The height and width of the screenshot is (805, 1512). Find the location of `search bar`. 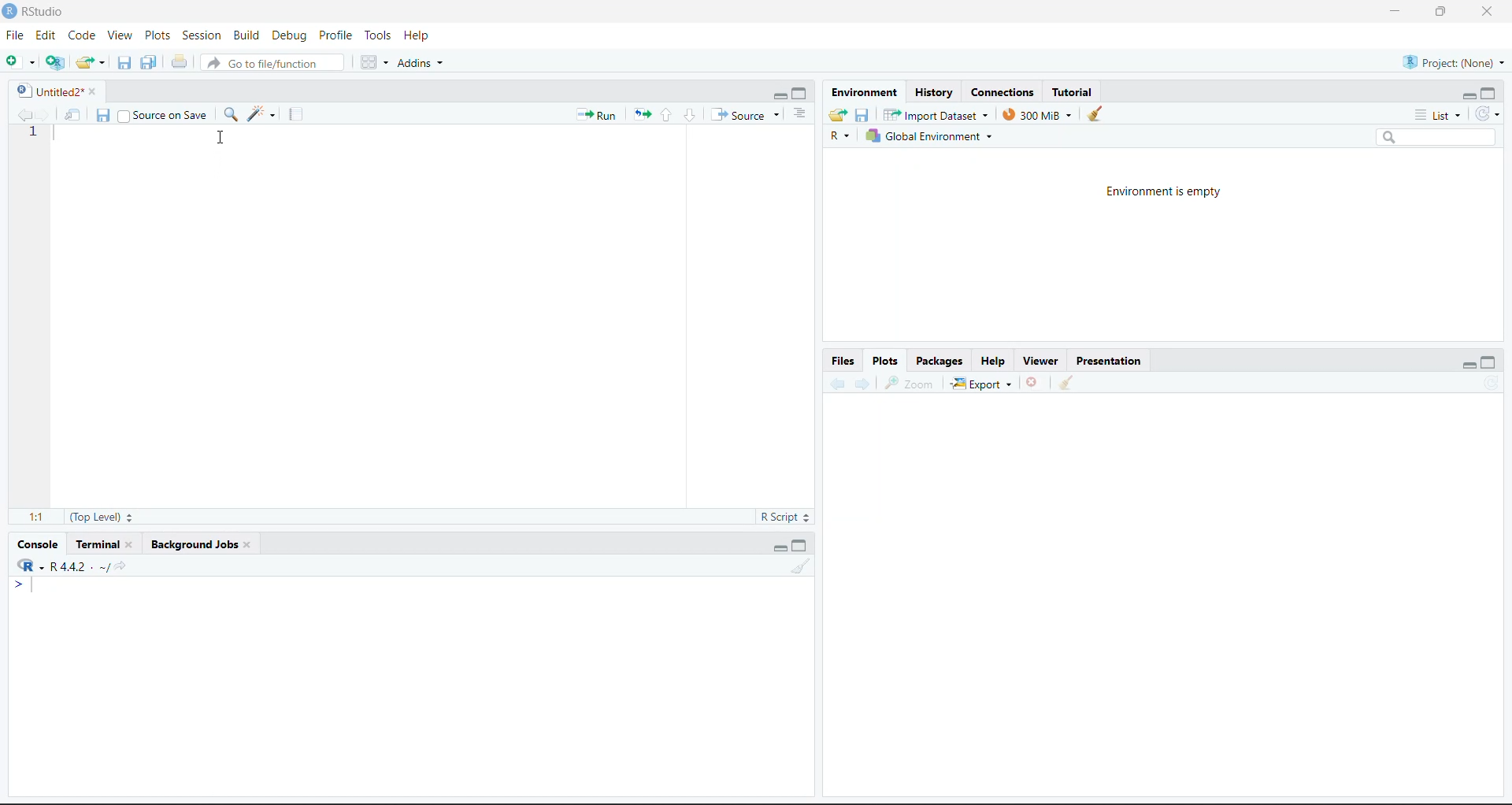

search bar is located at coordinates (1435, 136).